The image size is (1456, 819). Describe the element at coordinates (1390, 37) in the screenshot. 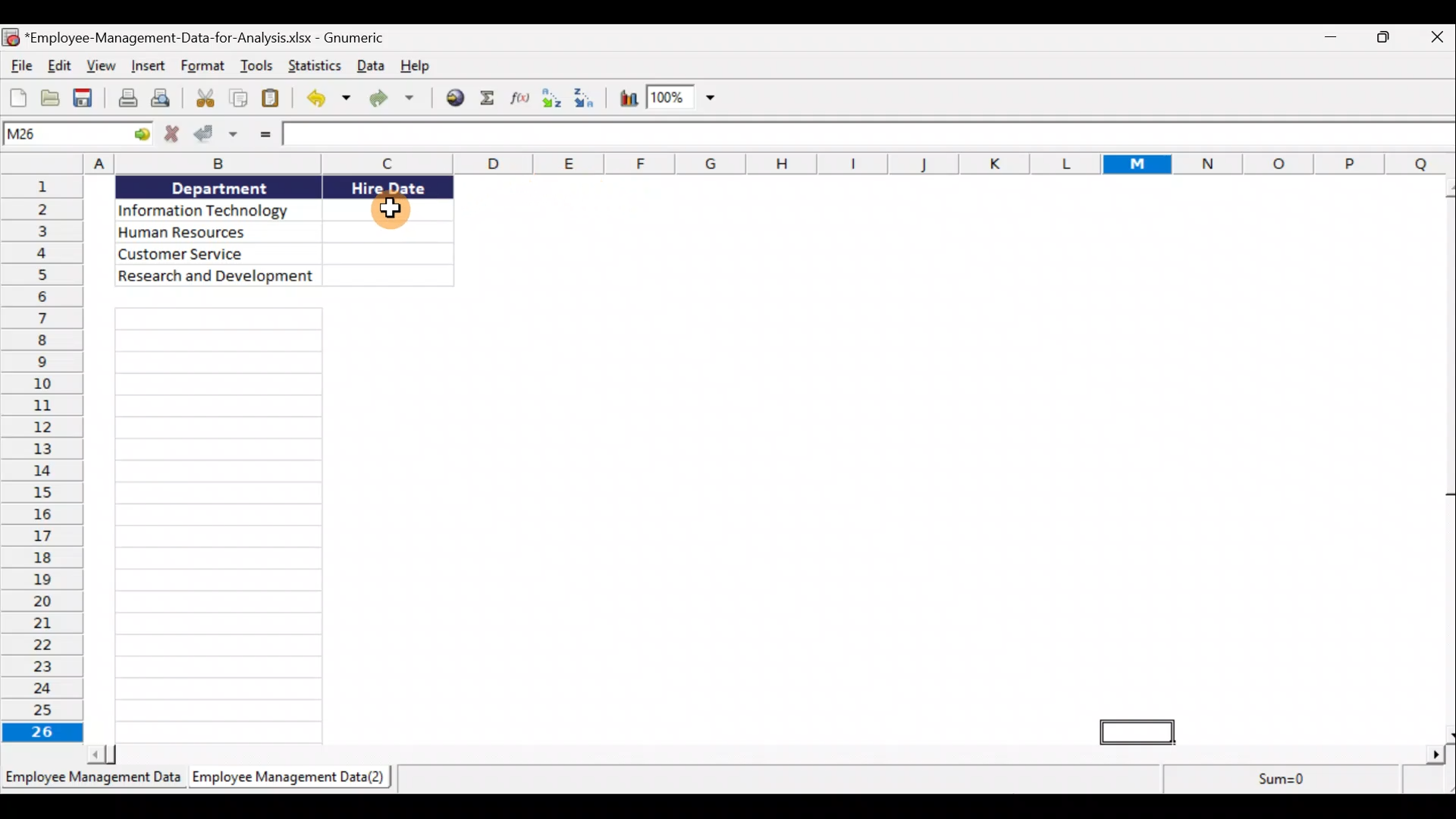

I see `Maximise` at that location.